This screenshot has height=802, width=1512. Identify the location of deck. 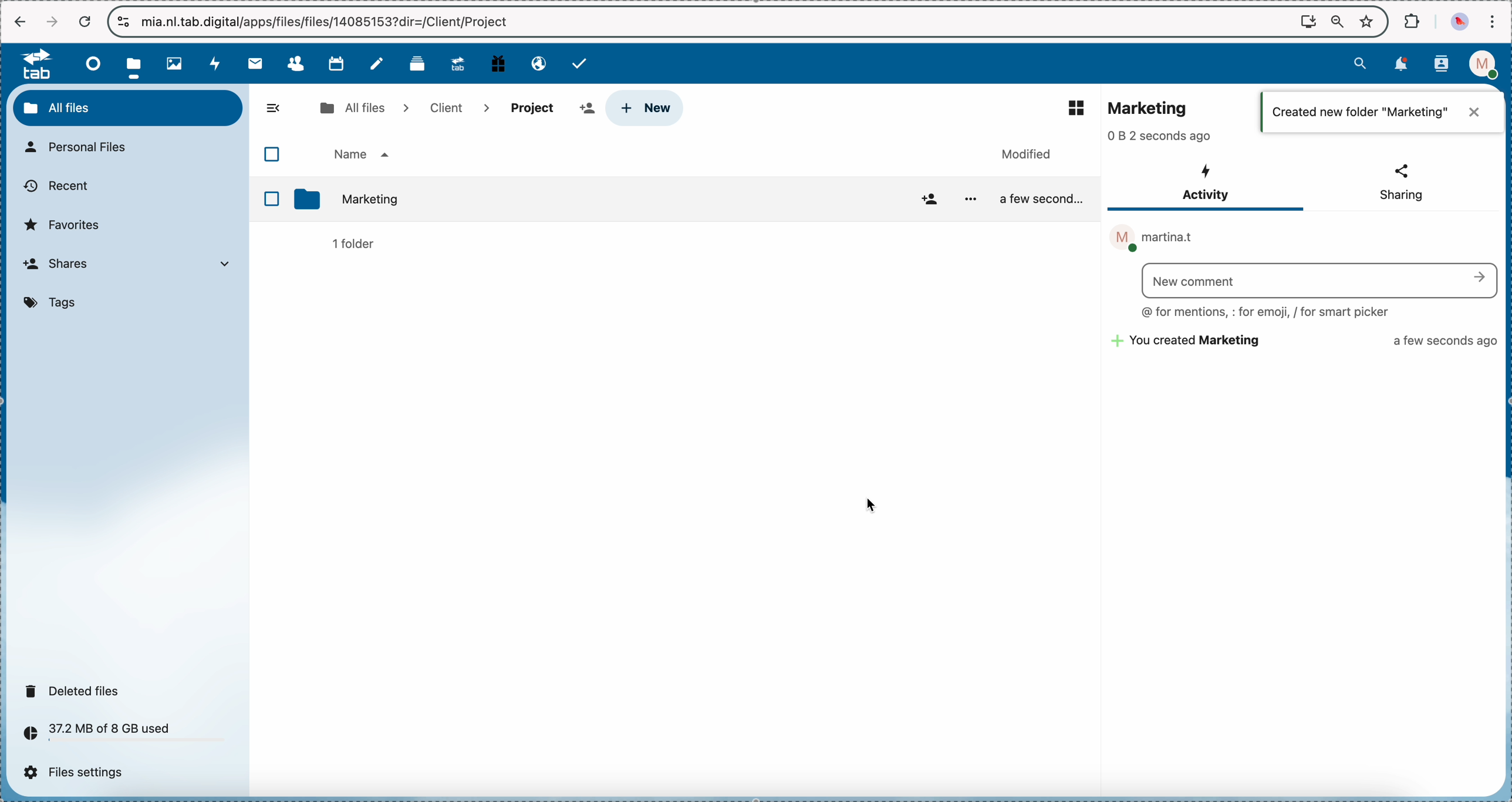
(420, 62).